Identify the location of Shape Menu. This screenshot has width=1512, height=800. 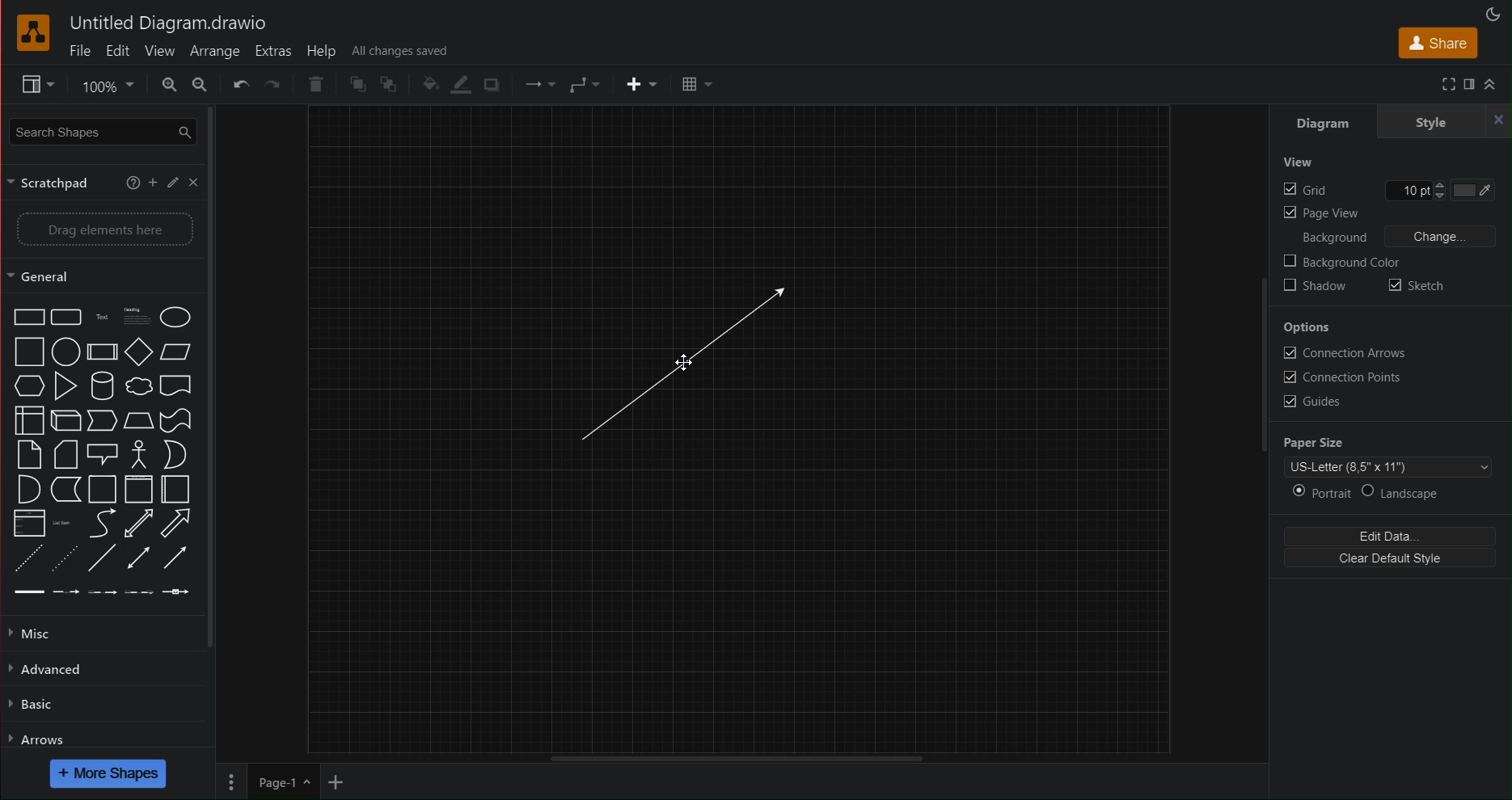
(101, 453).